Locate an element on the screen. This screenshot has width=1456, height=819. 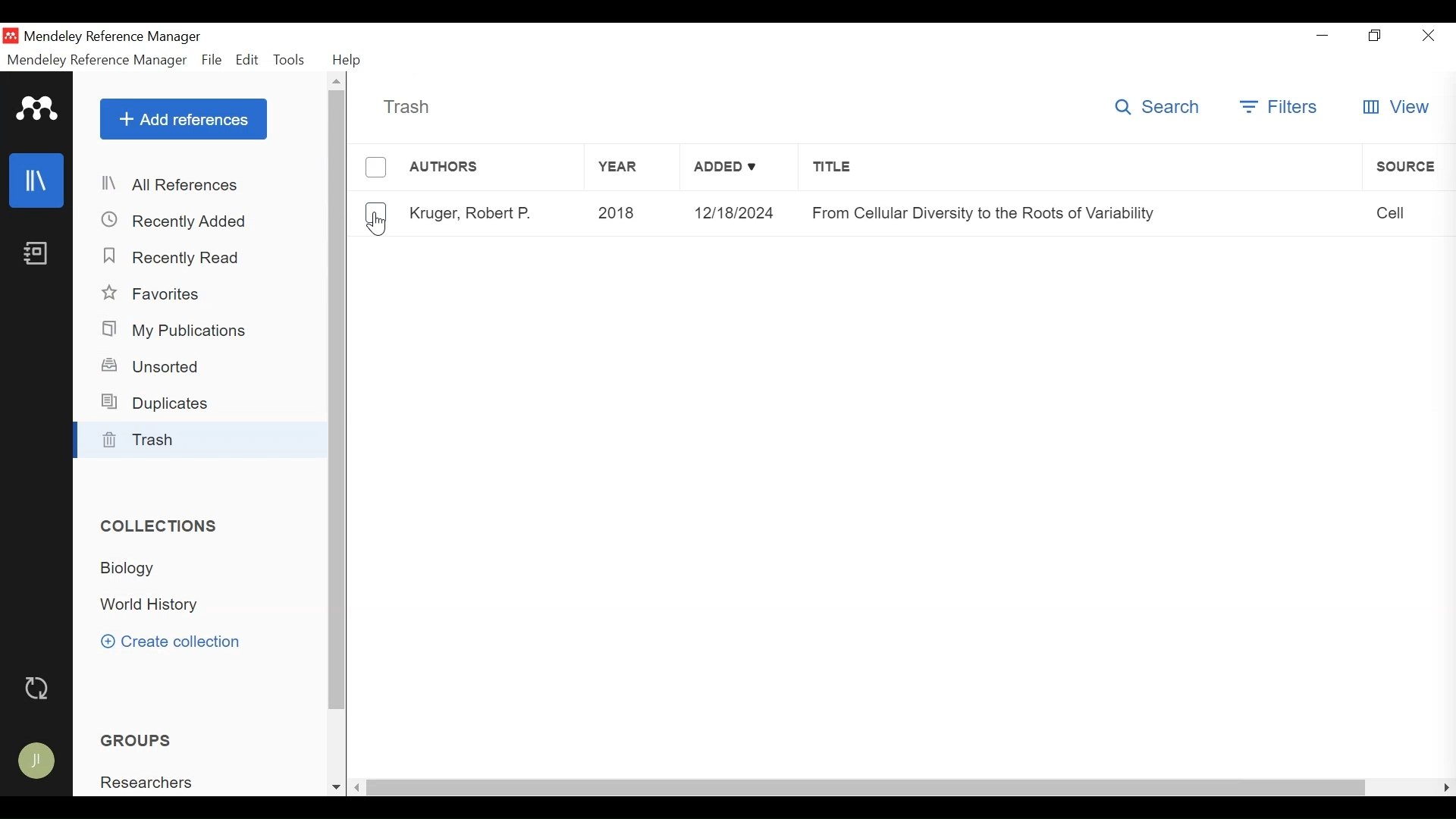
Recently Read is located at coordinates (172, 258).